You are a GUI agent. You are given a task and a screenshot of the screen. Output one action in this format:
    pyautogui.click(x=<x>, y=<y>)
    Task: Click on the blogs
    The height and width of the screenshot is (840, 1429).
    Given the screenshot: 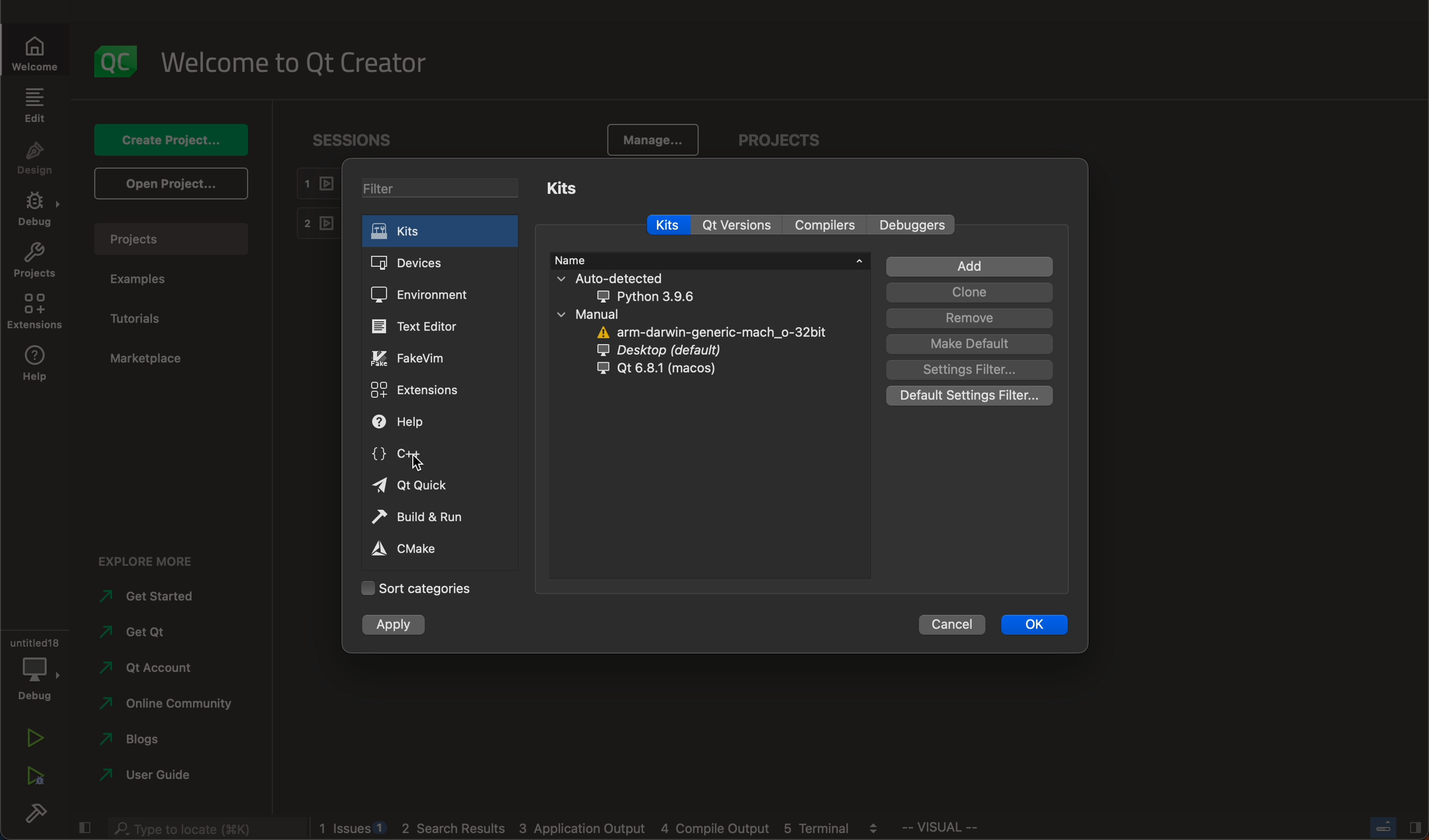 What is the action you would take?
    pyautogui.click(x=147, y=742)
    